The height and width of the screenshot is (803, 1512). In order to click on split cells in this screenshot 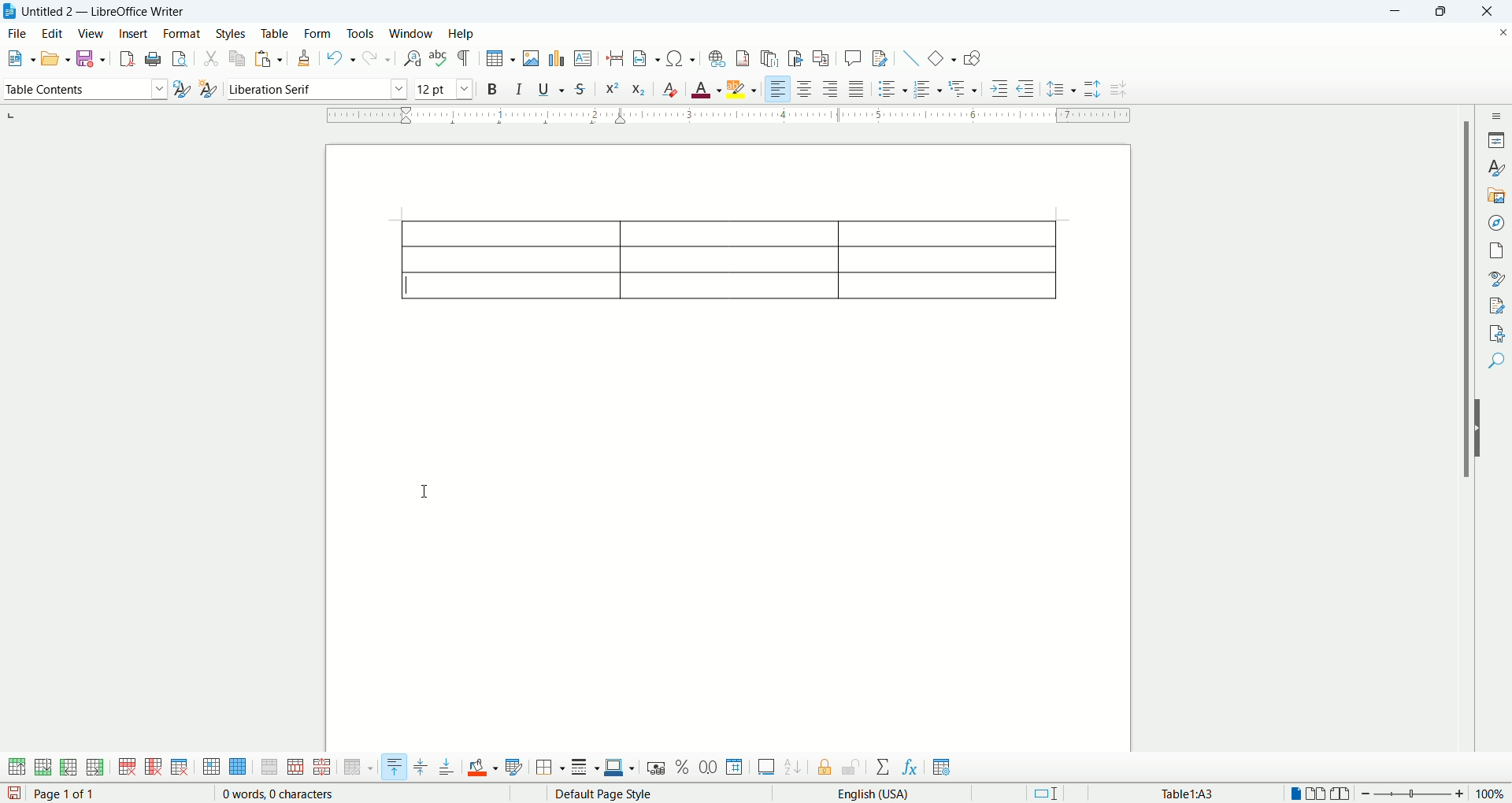, I will do `click(296, 768)`.